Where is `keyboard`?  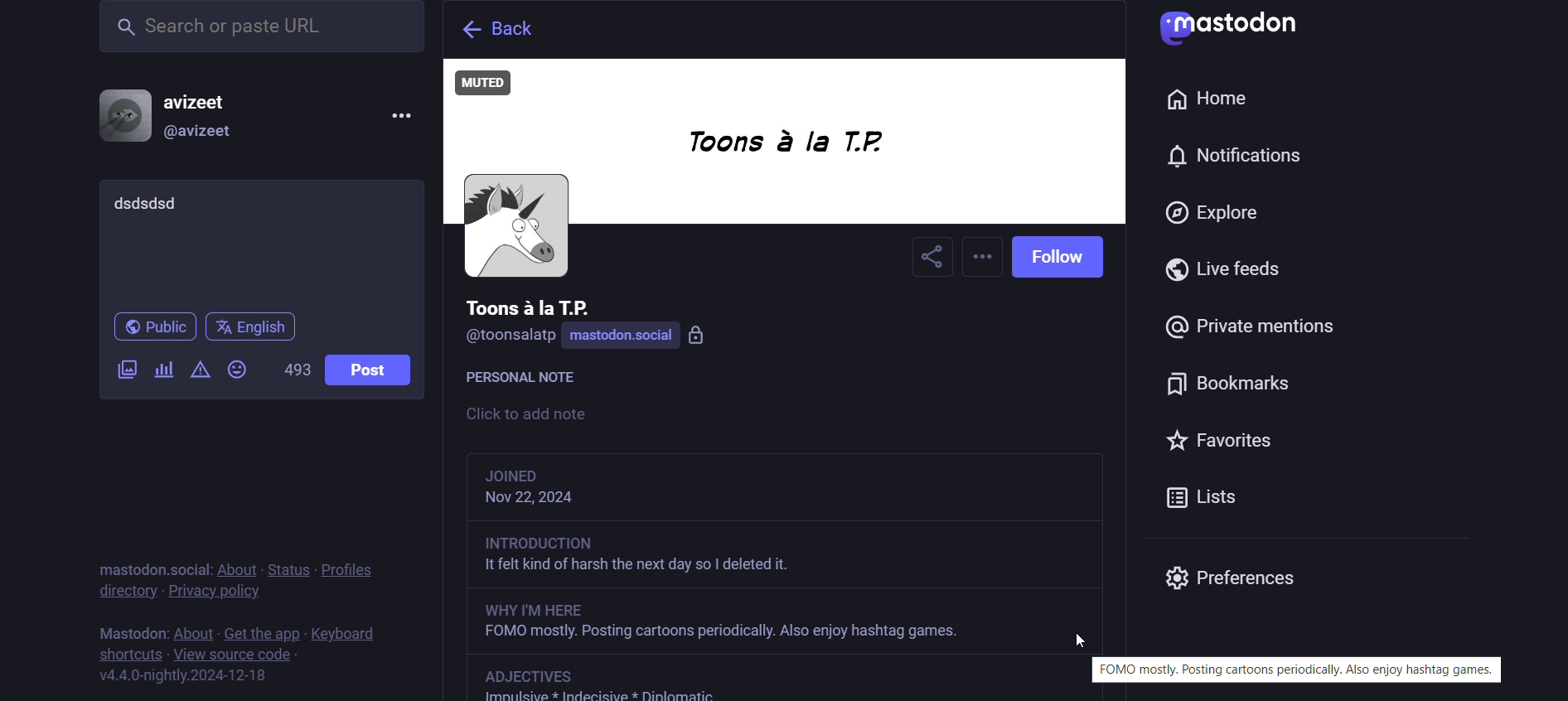 keyboard is located at coordinates (353, 632).